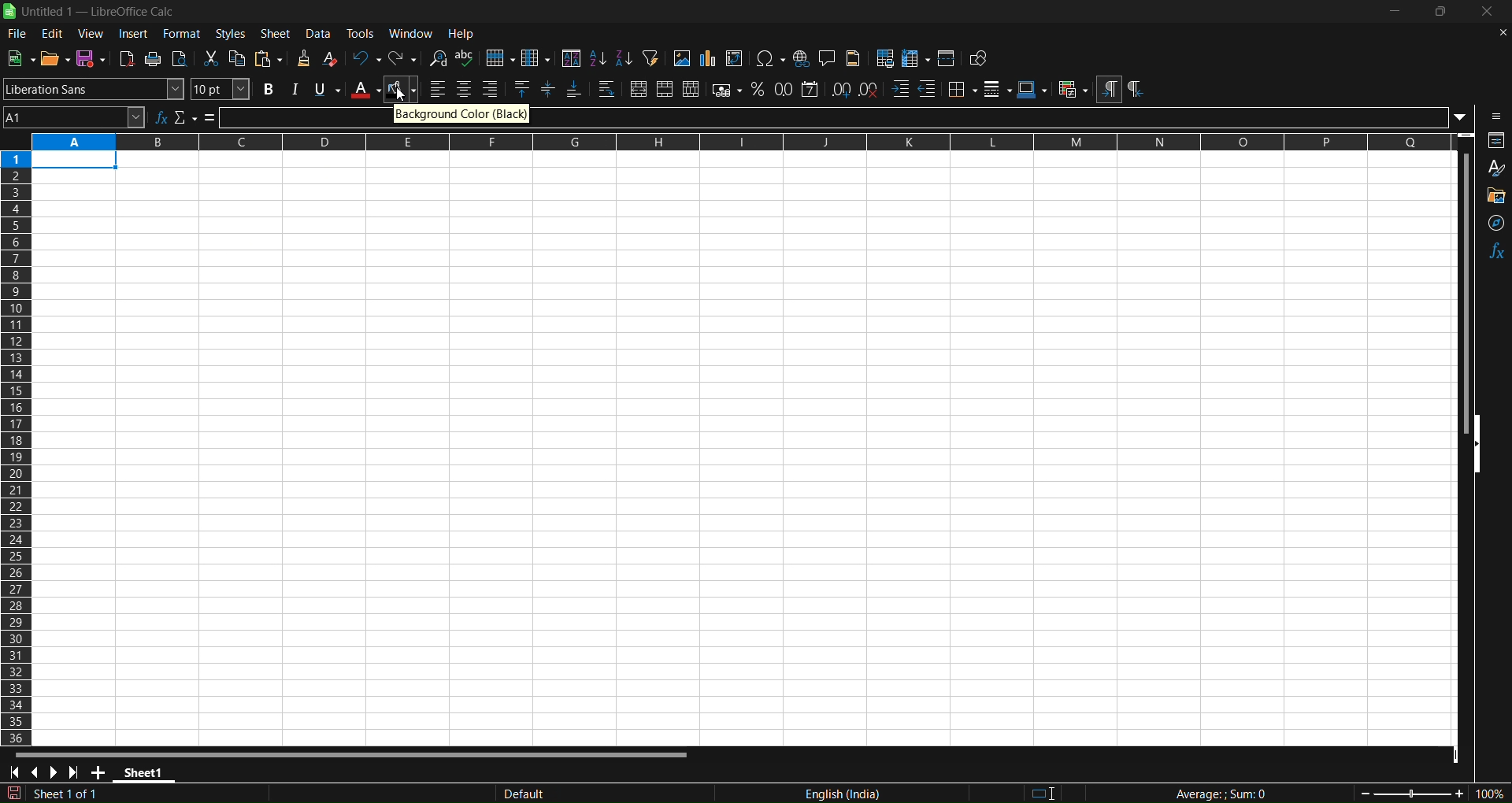 The image size is (1512, 803). Describe the element at coordinates (681, 57) in the screenshot. I see `insert image` at that location.